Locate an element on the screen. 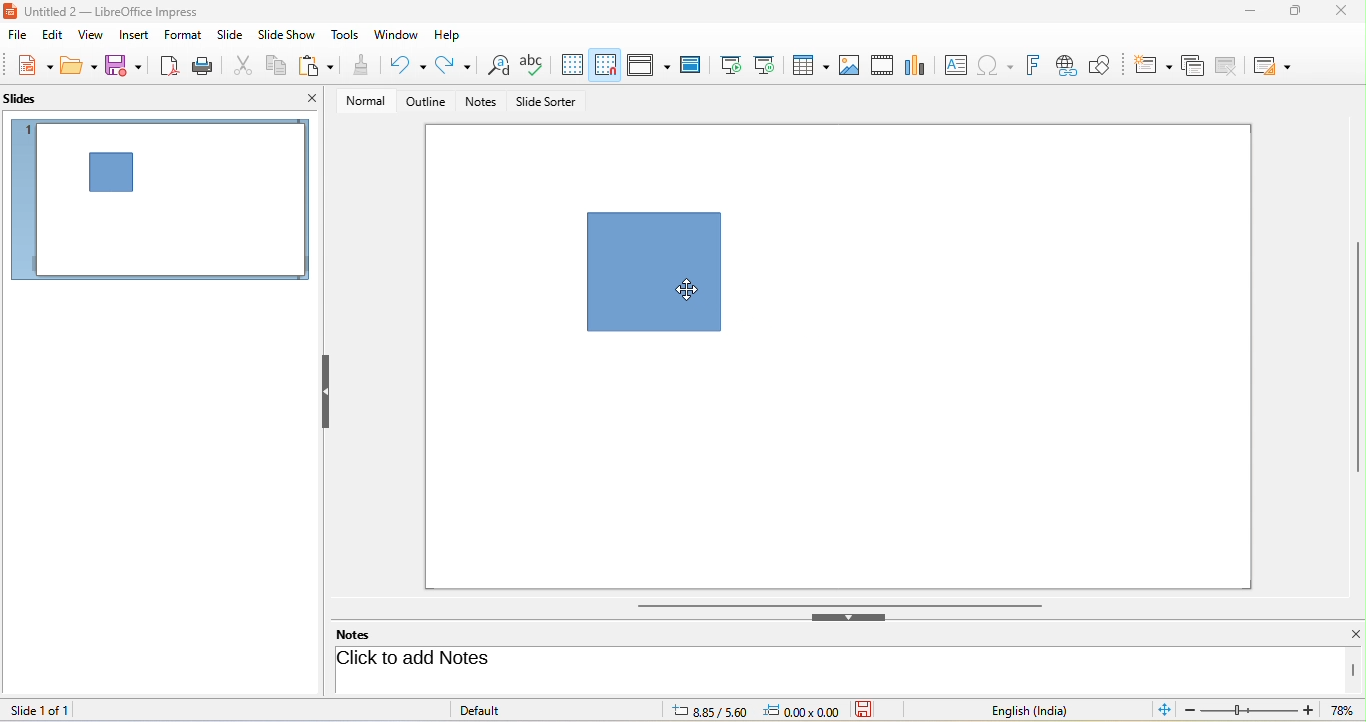 This screenshot has width=1366, height=722. hide is located at coordinates (325, 392).